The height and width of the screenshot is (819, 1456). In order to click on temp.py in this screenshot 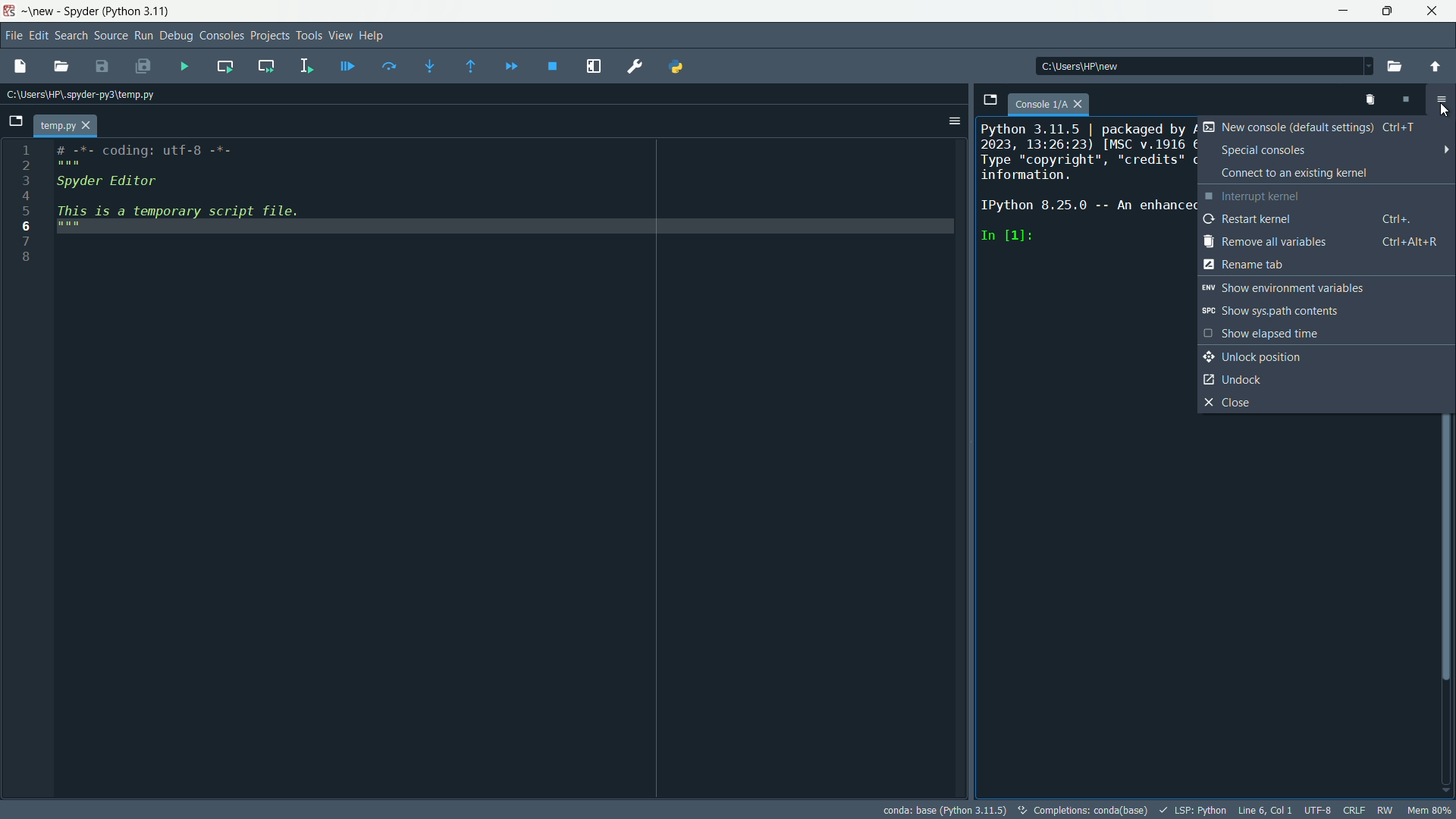, I will do `click(66, 124)`.